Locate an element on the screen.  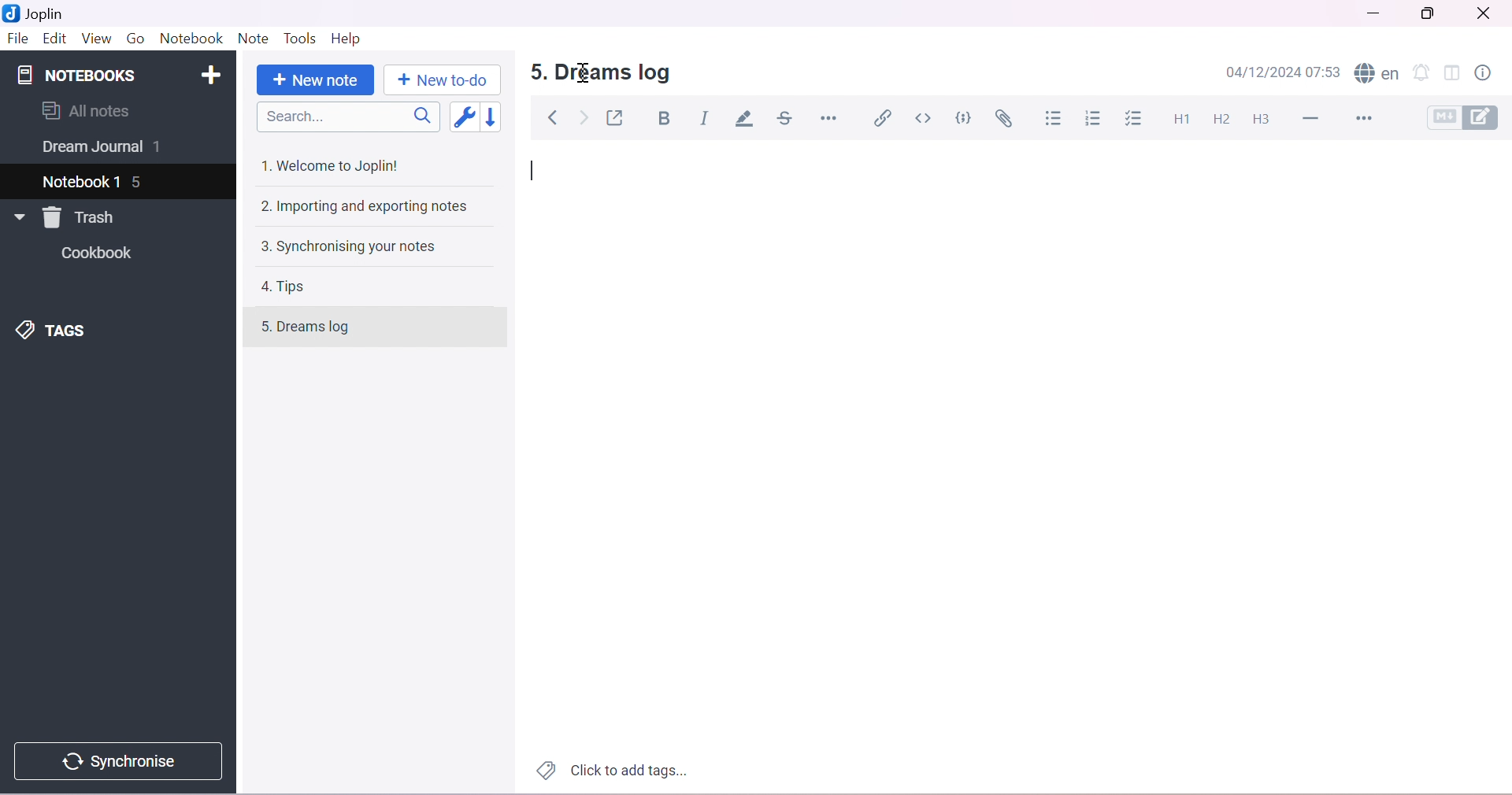
Add notebook is located at coordinates (215, 72).